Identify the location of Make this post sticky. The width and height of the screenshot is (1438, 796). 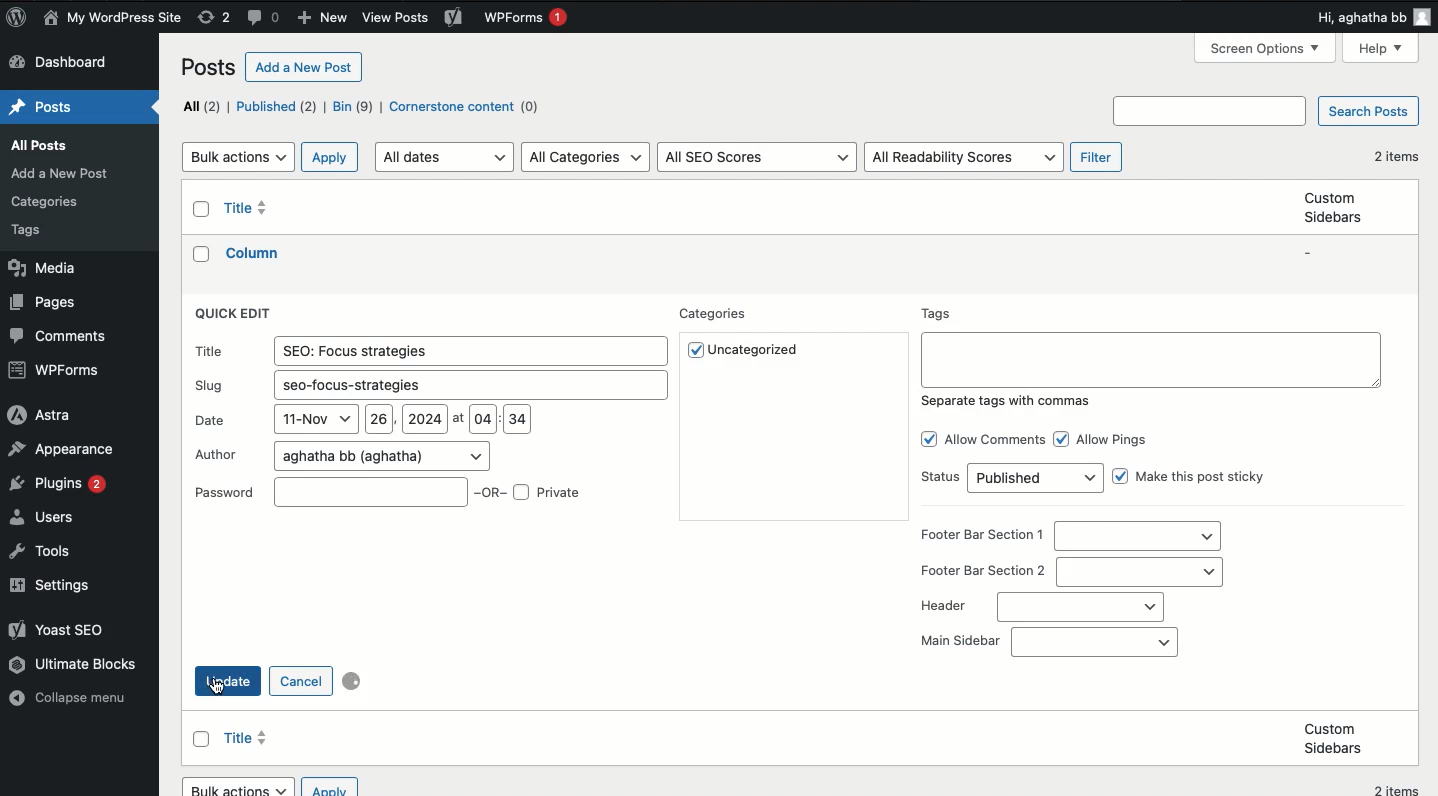
(1205, 479).